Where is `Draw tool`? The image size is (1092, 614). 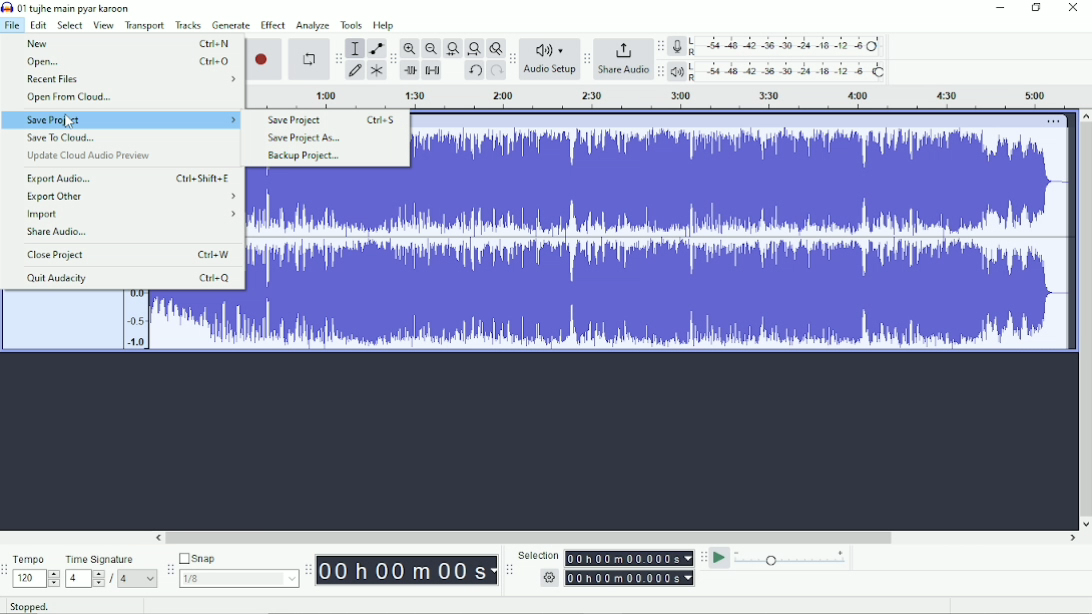 Draw tool is located at coordinates (357, 71).